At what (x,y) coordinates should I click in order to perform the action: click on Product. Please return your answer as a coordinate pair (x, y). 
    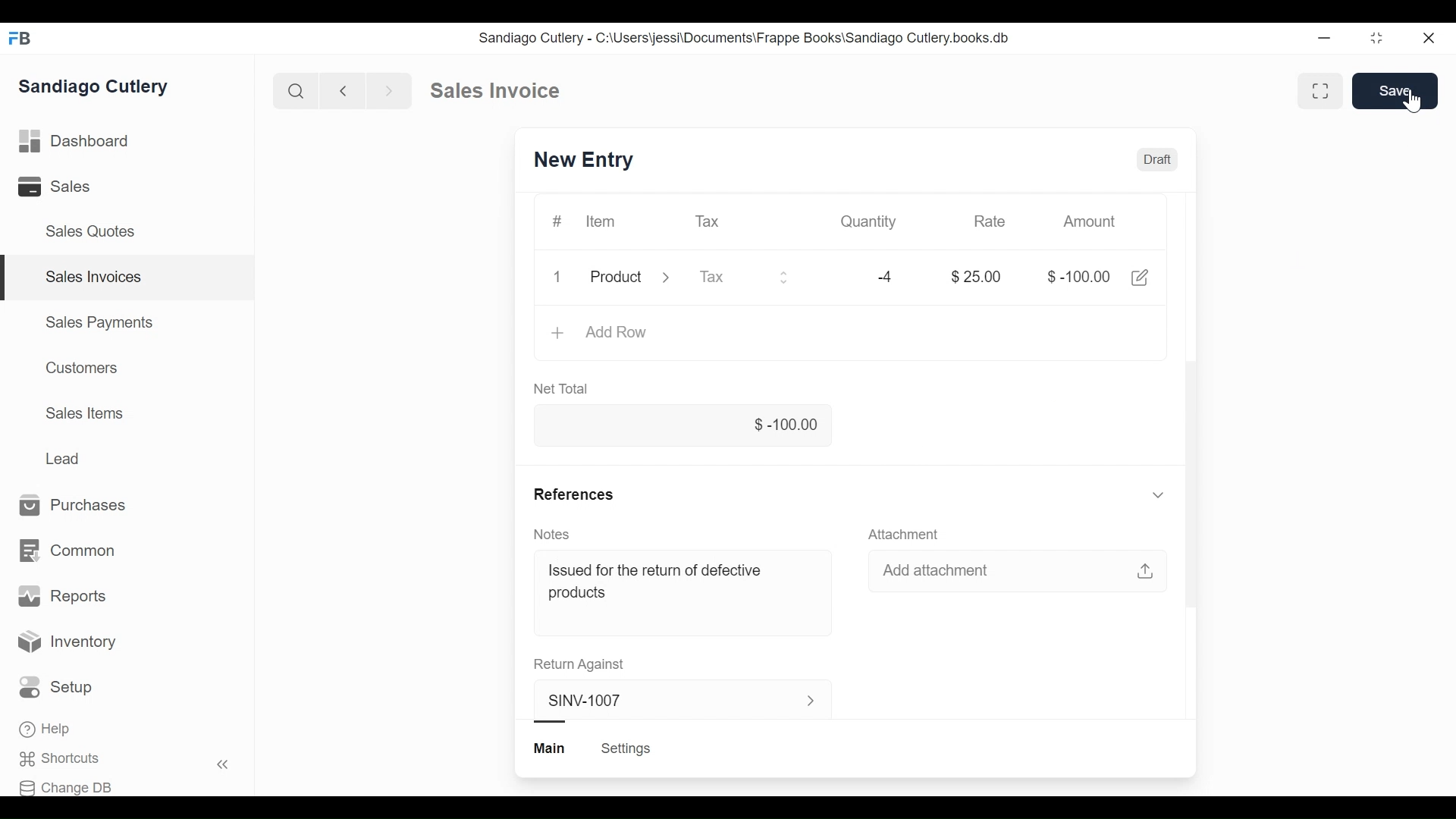
    Looking at the image, I should click on (629, 278).